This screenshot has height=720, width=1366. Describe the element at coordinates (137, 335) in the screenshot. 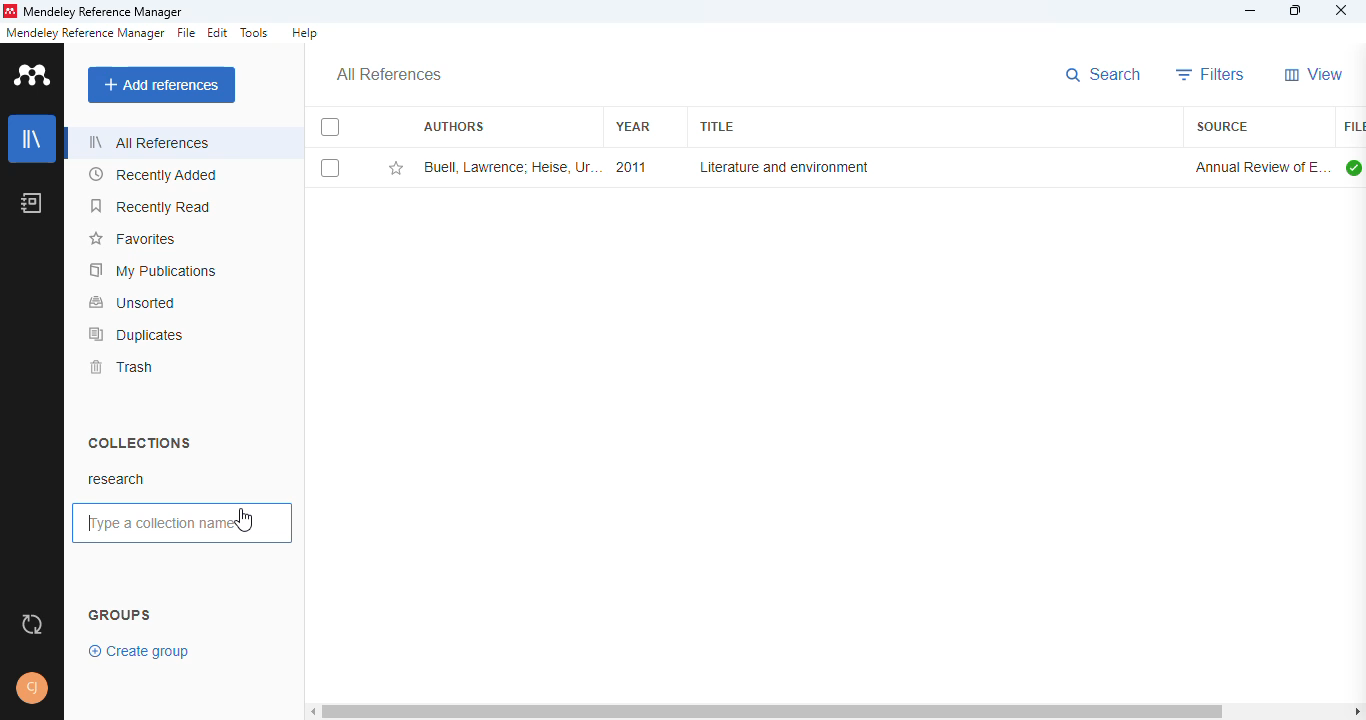

I see `duplicates` at that location.